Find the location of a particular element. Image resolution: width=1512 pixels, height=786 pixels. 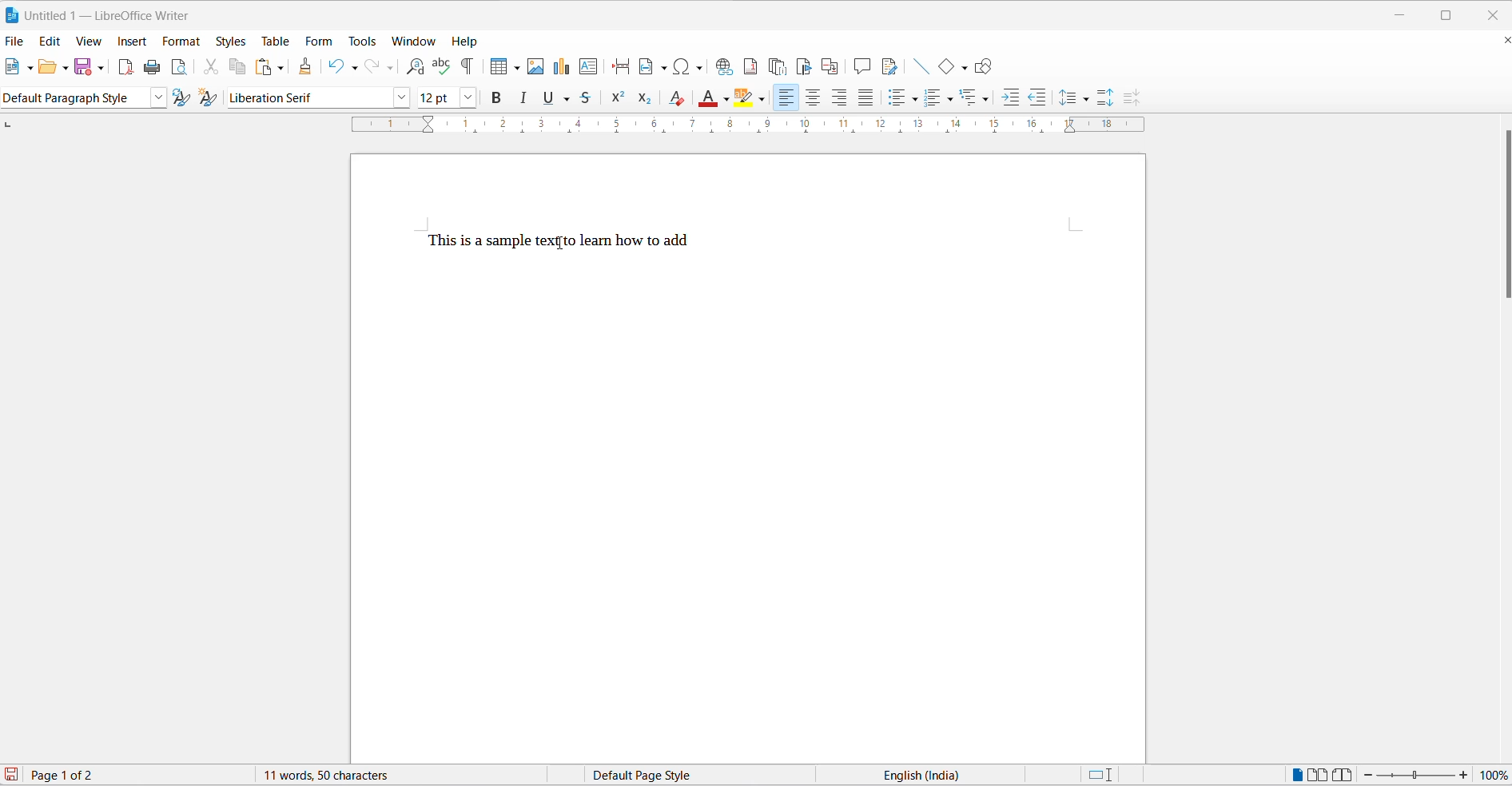

save options is located at coordinates (100, 69).